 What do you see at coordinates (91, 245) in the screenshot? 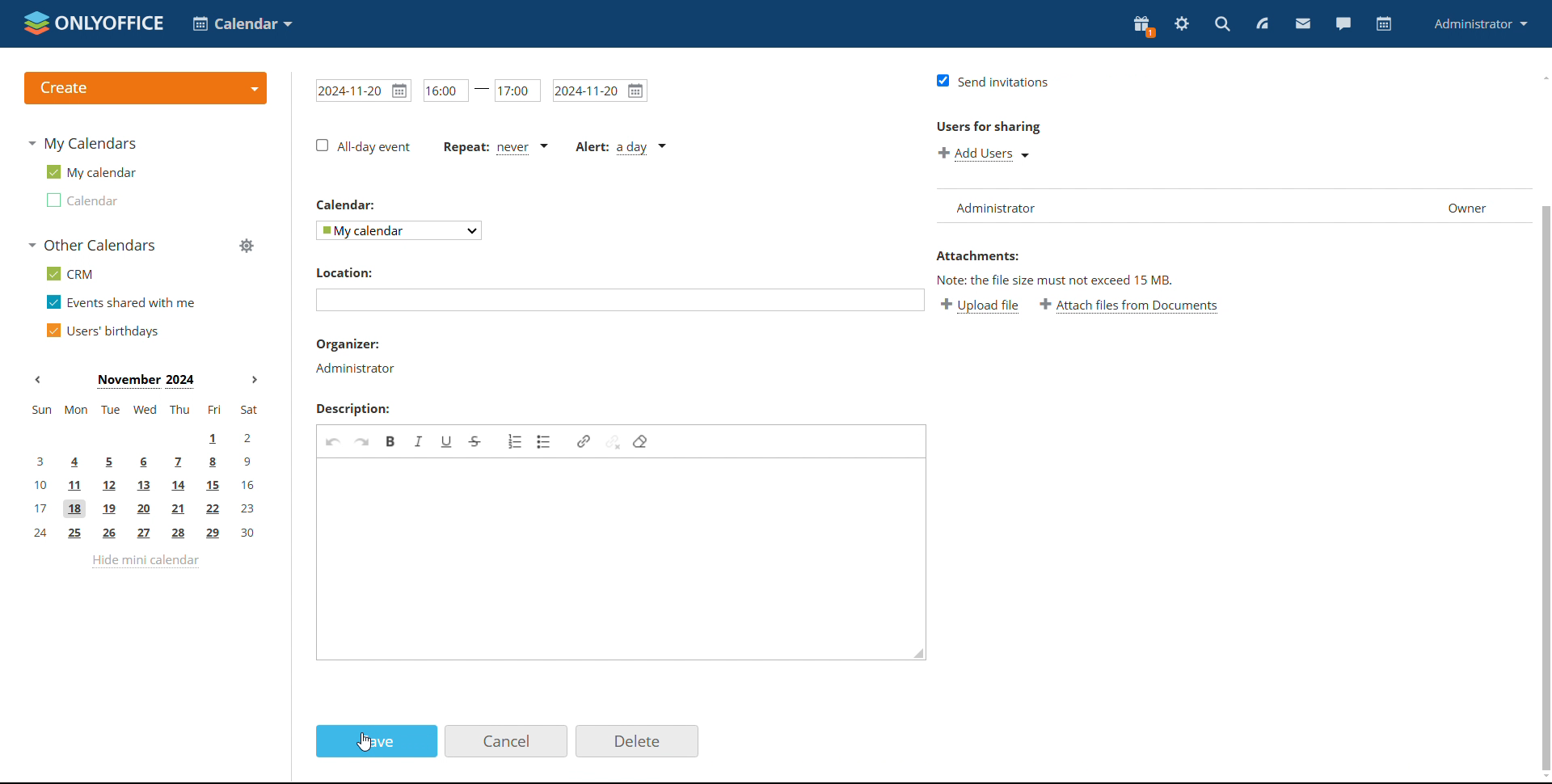
I see `other calendars` at bounding box center [91, 245].